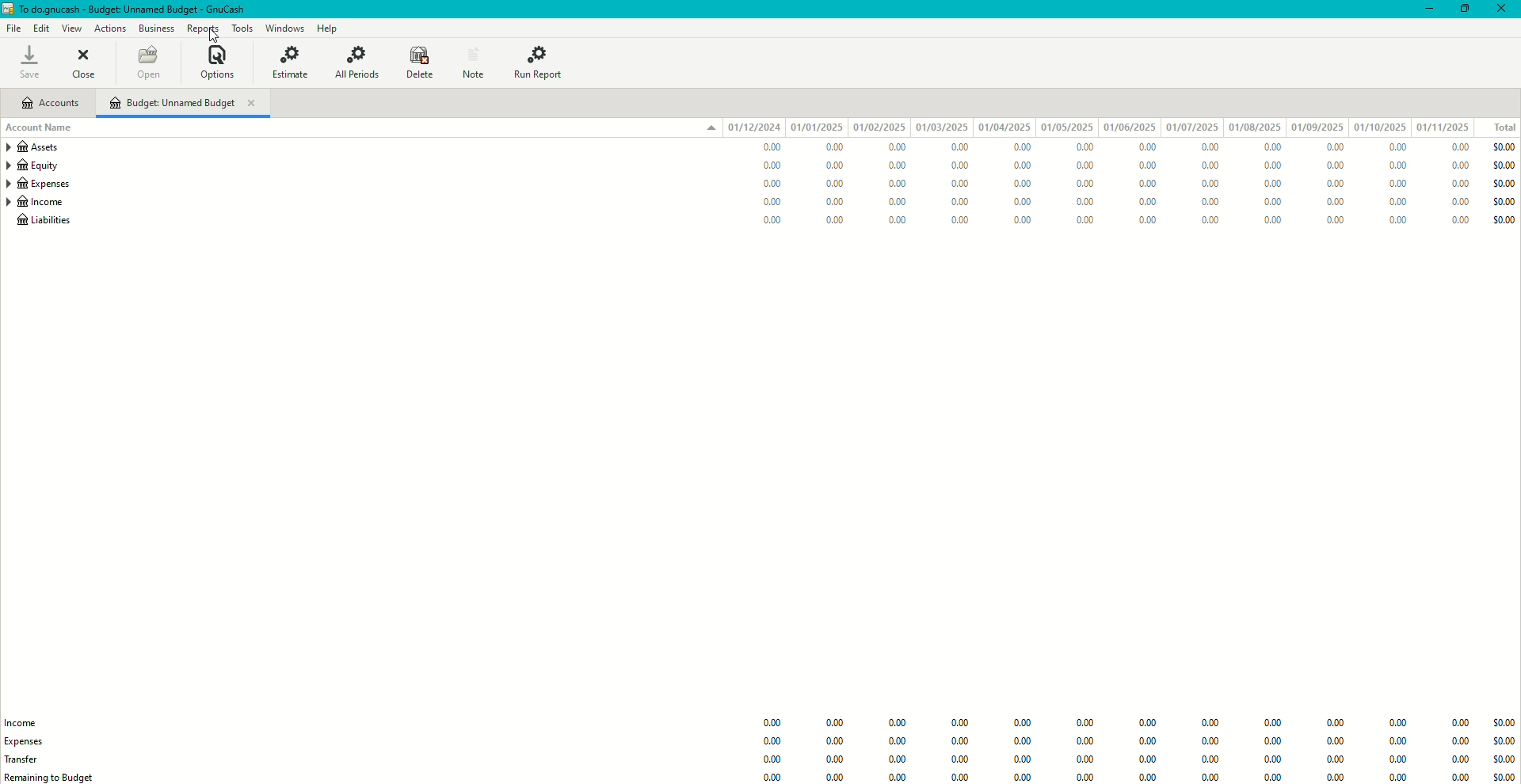  What do you see at coordinates (898, 200) in the screenshot?
I see `0.00` at bounding box center [898, 200].